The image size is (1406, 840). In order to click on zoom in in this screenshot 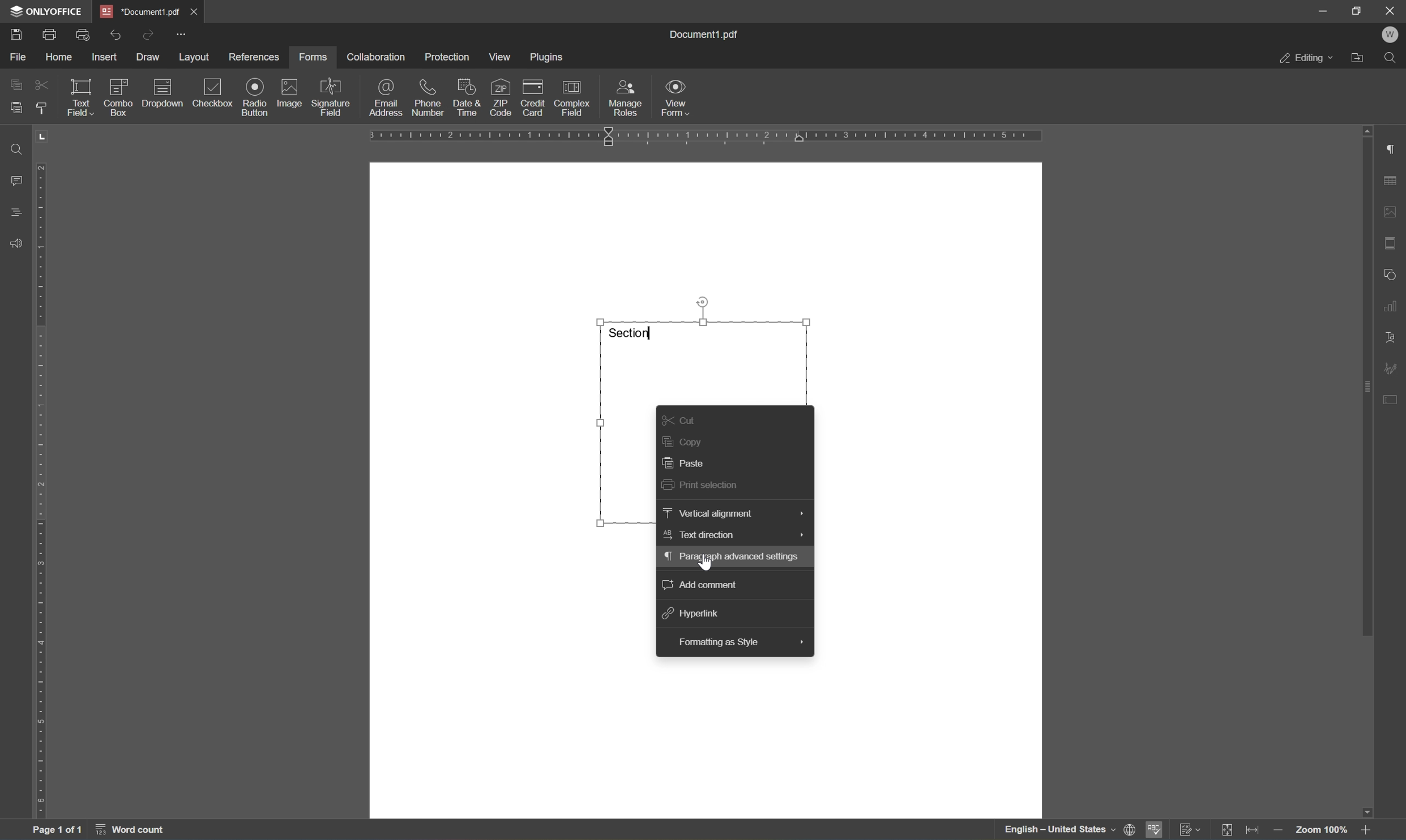, I will do `click(1367, 829)`.